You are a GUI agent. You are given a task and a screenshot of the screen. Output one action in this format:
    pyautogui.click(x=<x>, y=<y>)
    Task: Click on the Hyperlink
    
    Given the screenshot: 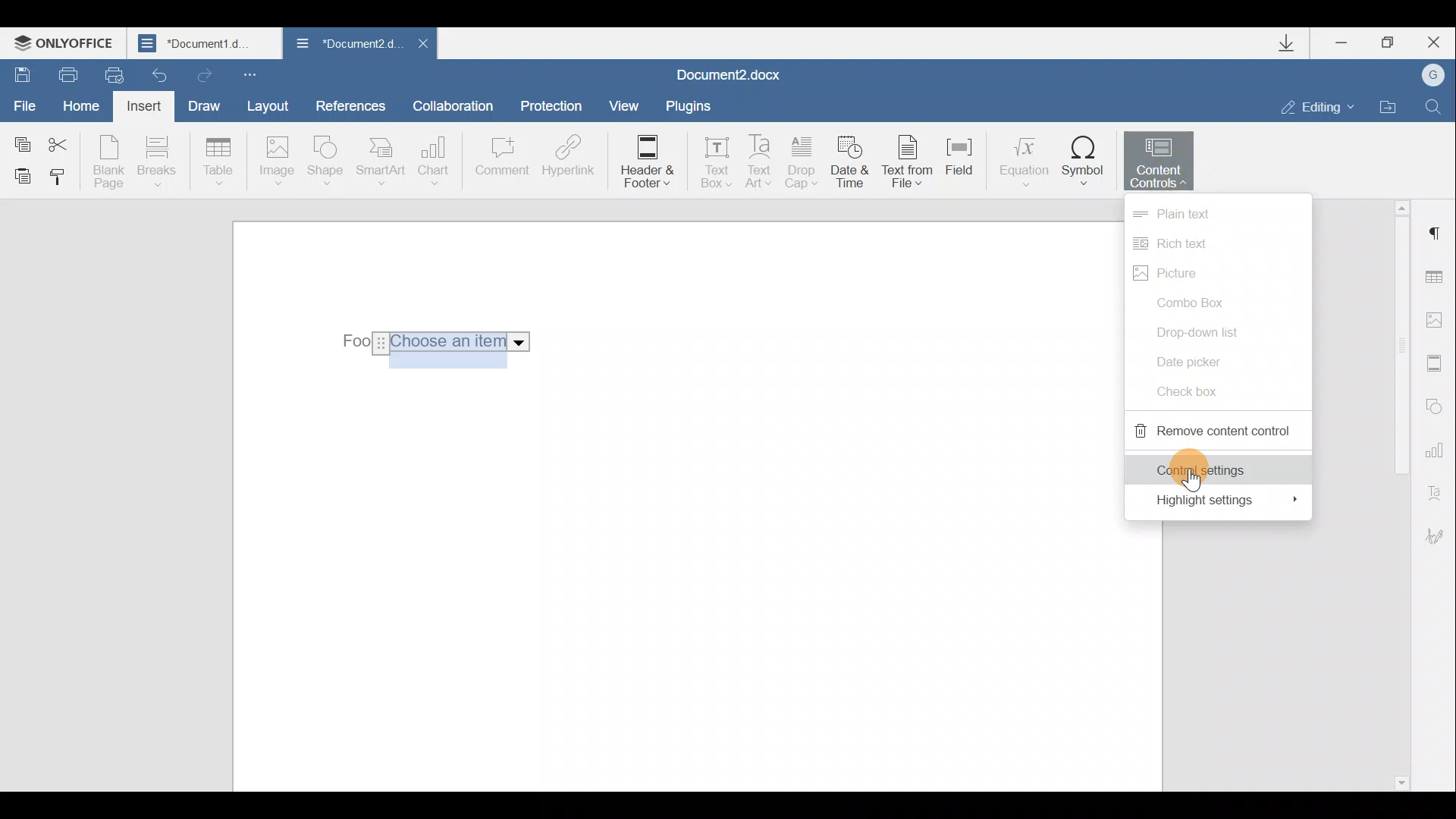 What is the action you would take?
    pyautogui.click(x=565, y=158)
    